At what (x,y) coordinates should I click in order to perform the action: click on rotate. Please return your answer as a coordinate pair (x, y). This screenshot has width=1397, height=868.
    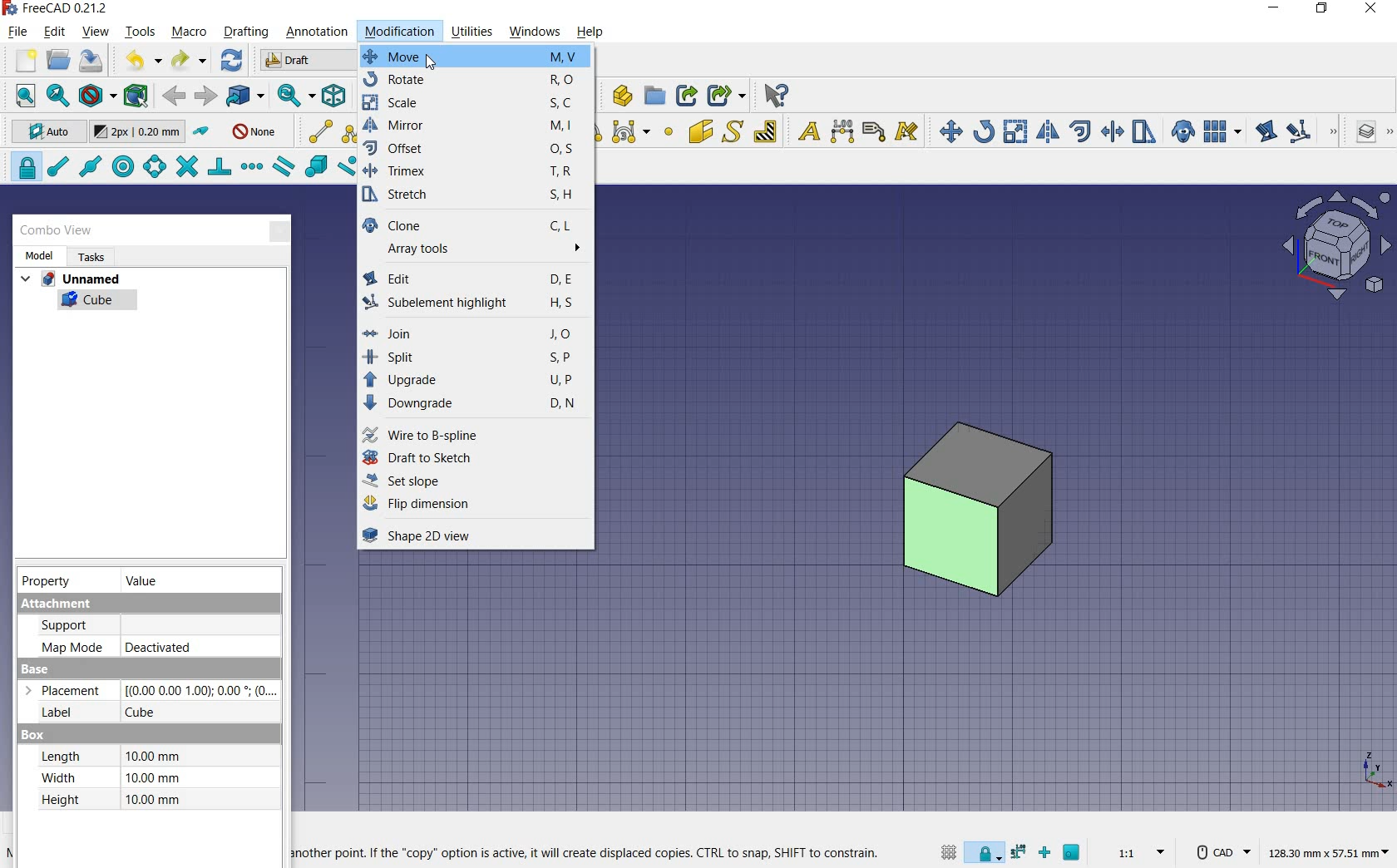
    Looking at the image, I should click on (985, 131).